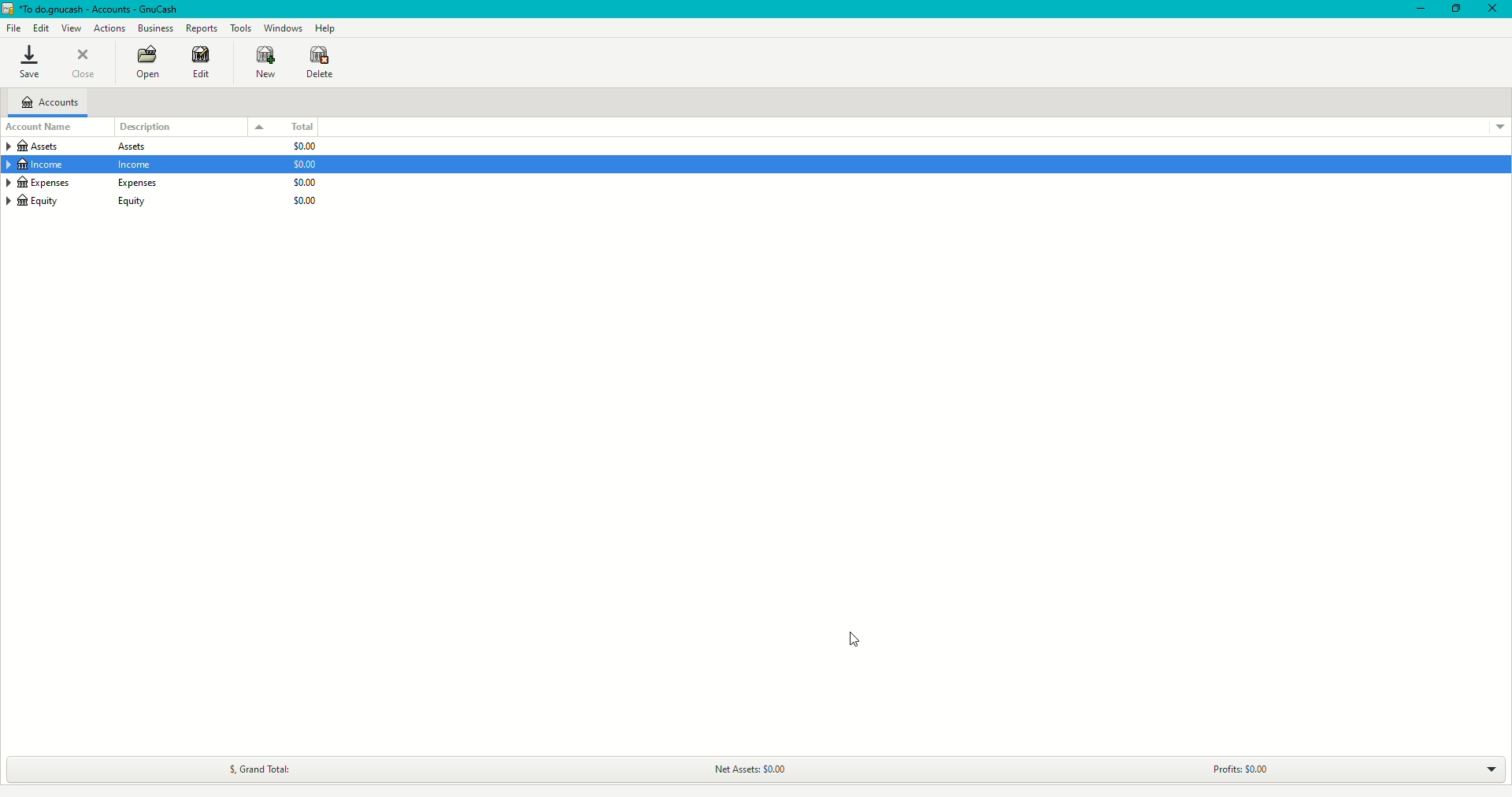  Describe the element at coordinates (78, 183) in the screenshot. I see `Expenses` at that location.